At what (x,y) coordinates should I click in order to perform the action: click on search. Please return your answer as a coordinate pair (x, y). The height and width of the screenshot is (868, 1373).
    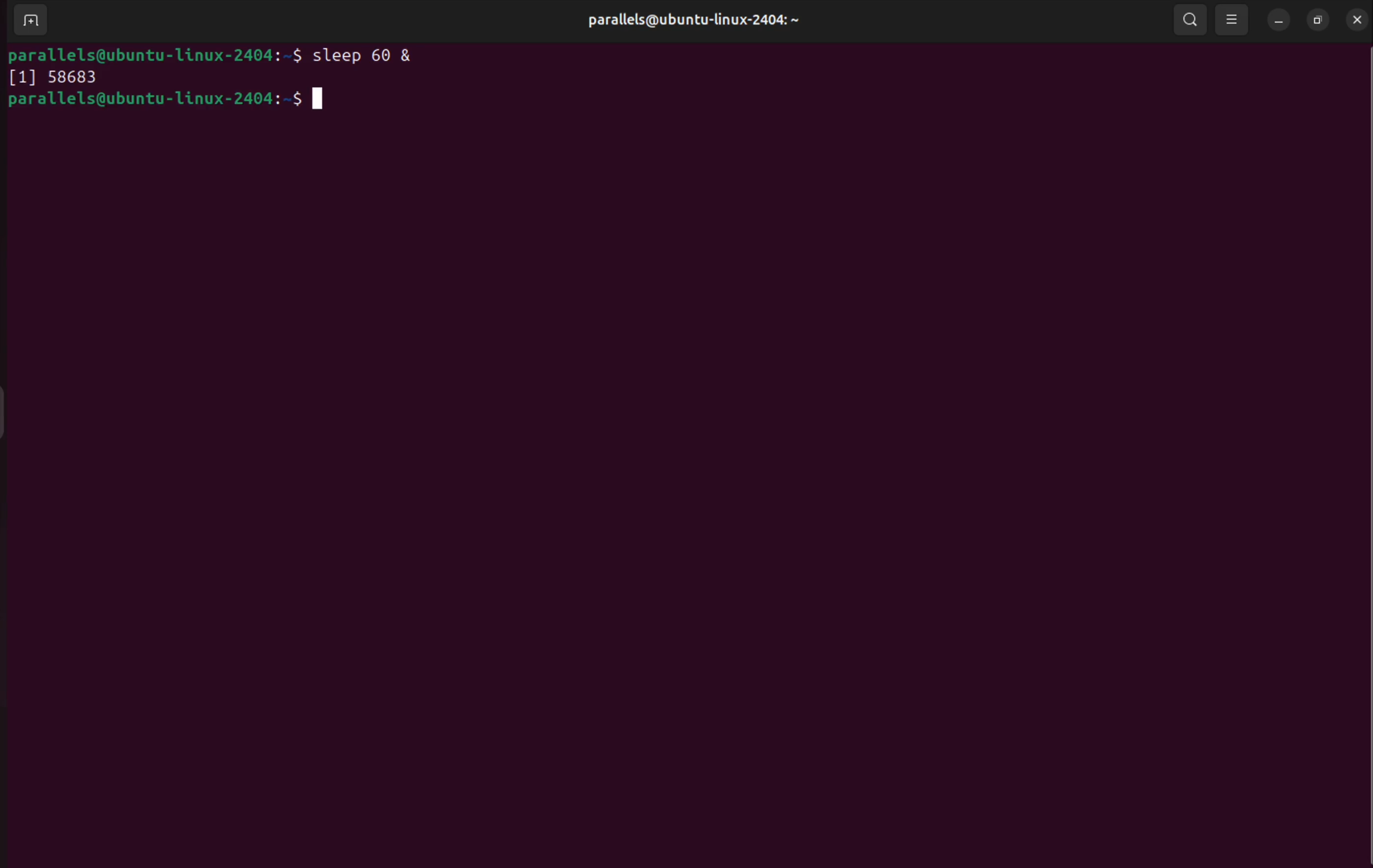
    Looking at the image, I should click on (1187, 18).